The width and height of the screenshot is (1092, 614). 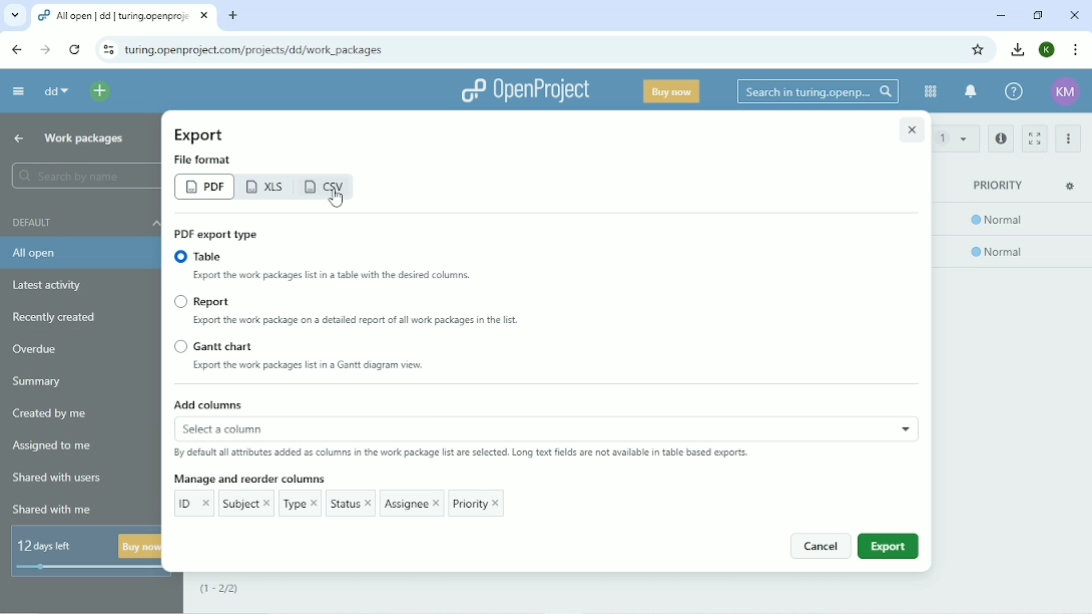 I want to click on Latest activity, so click(x=53, y=285).